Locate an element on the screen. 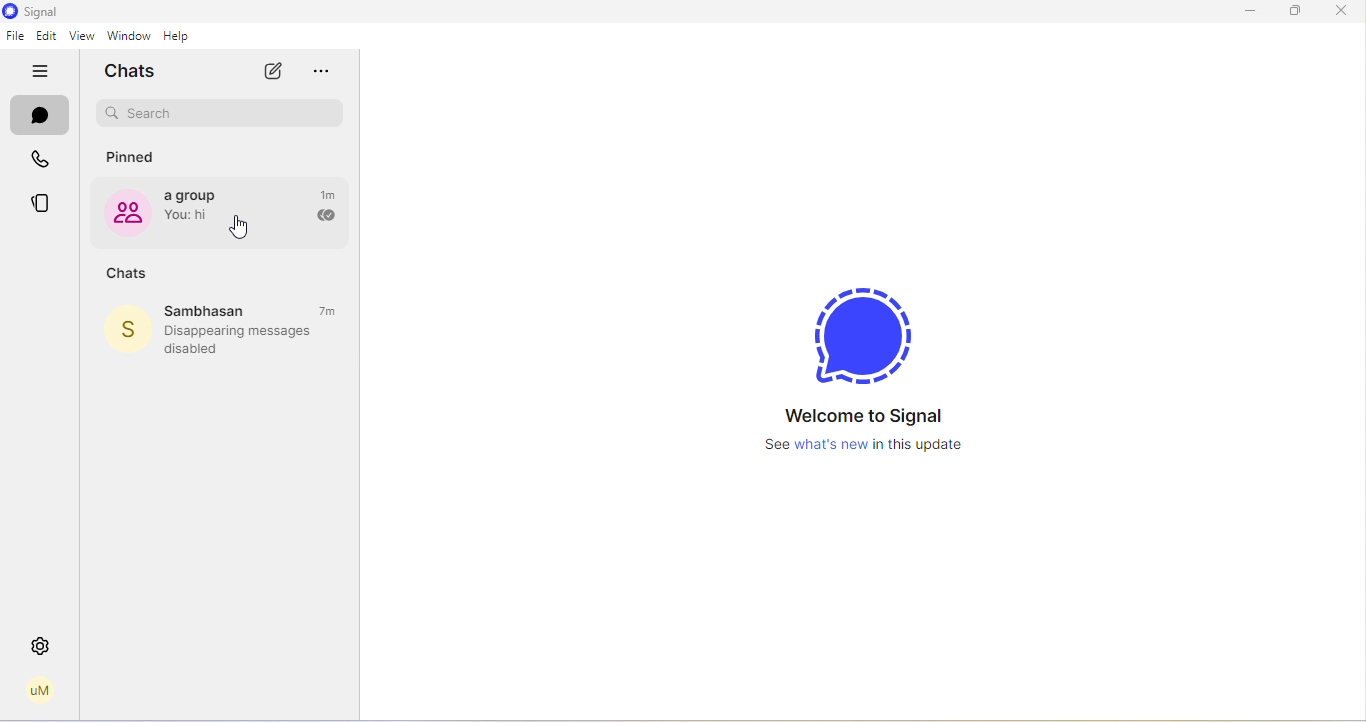 The width and height of the screenshot is (1366, 722). search bar is located at coordinates (221, 114).